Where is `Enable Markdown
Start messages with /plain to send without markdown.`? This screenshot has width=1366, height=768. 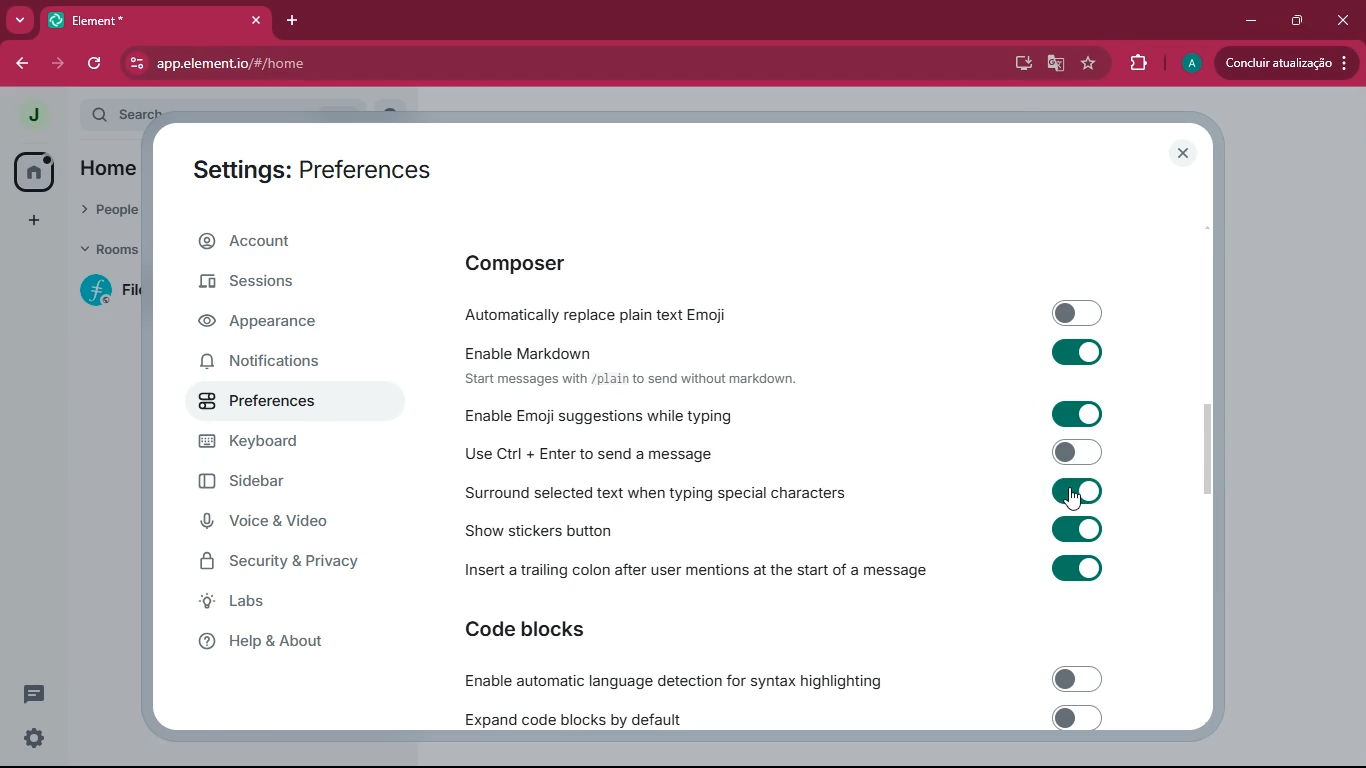
Enable Markdown
Start messages with /plain to send without markdown. is located at coordinates (793, 361).